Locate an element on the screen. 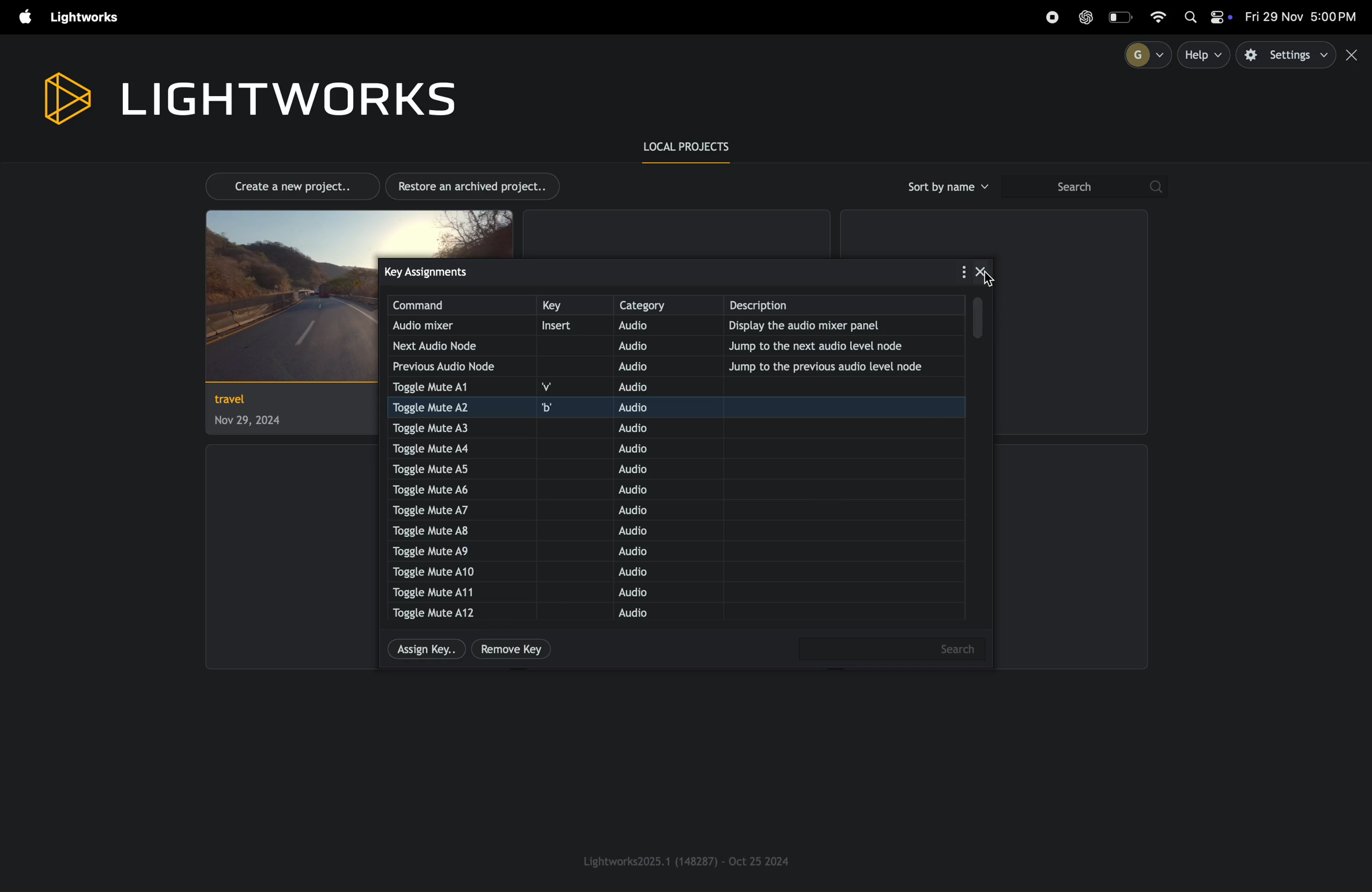 The image size is (1372, 892). toggle mute A8 is located at coordinates (446, 531).